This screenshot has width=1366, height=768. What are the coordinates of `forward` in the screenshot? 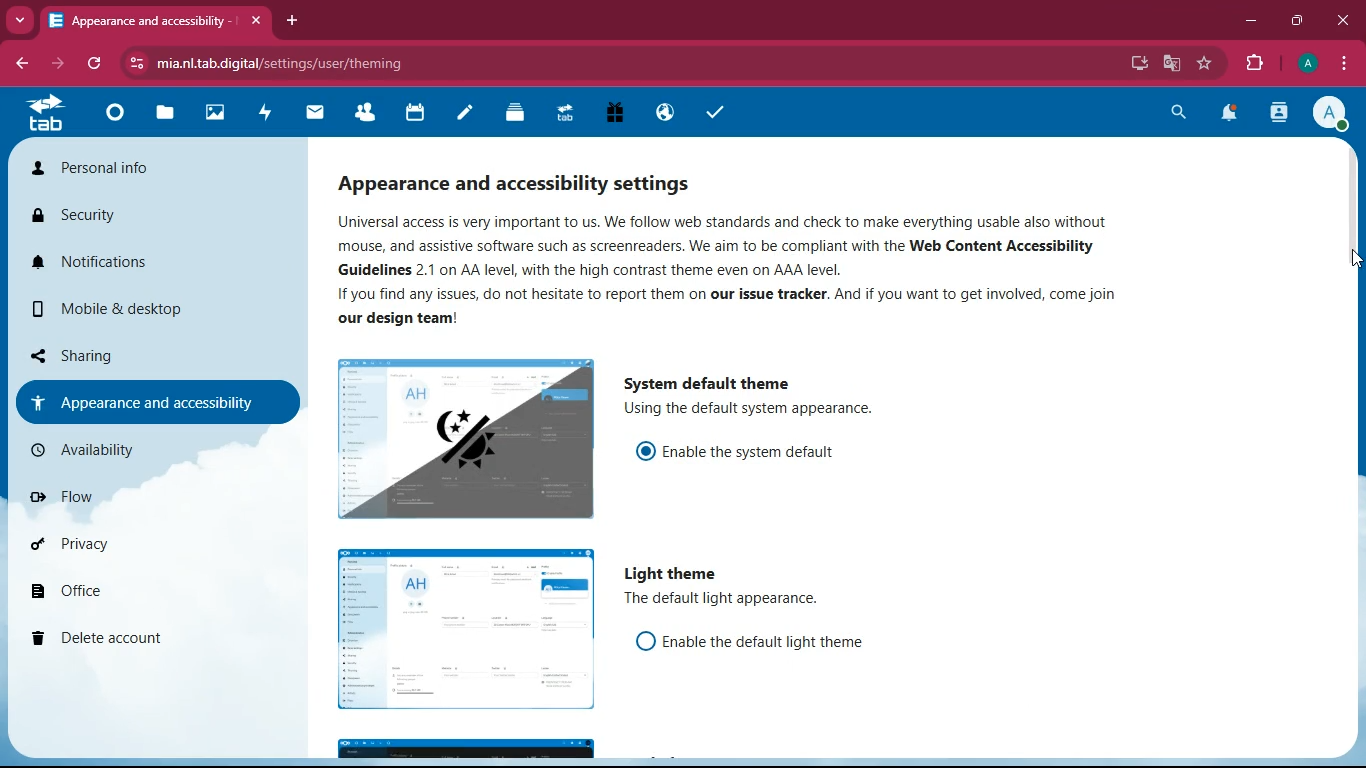 It's located at (65, 64).